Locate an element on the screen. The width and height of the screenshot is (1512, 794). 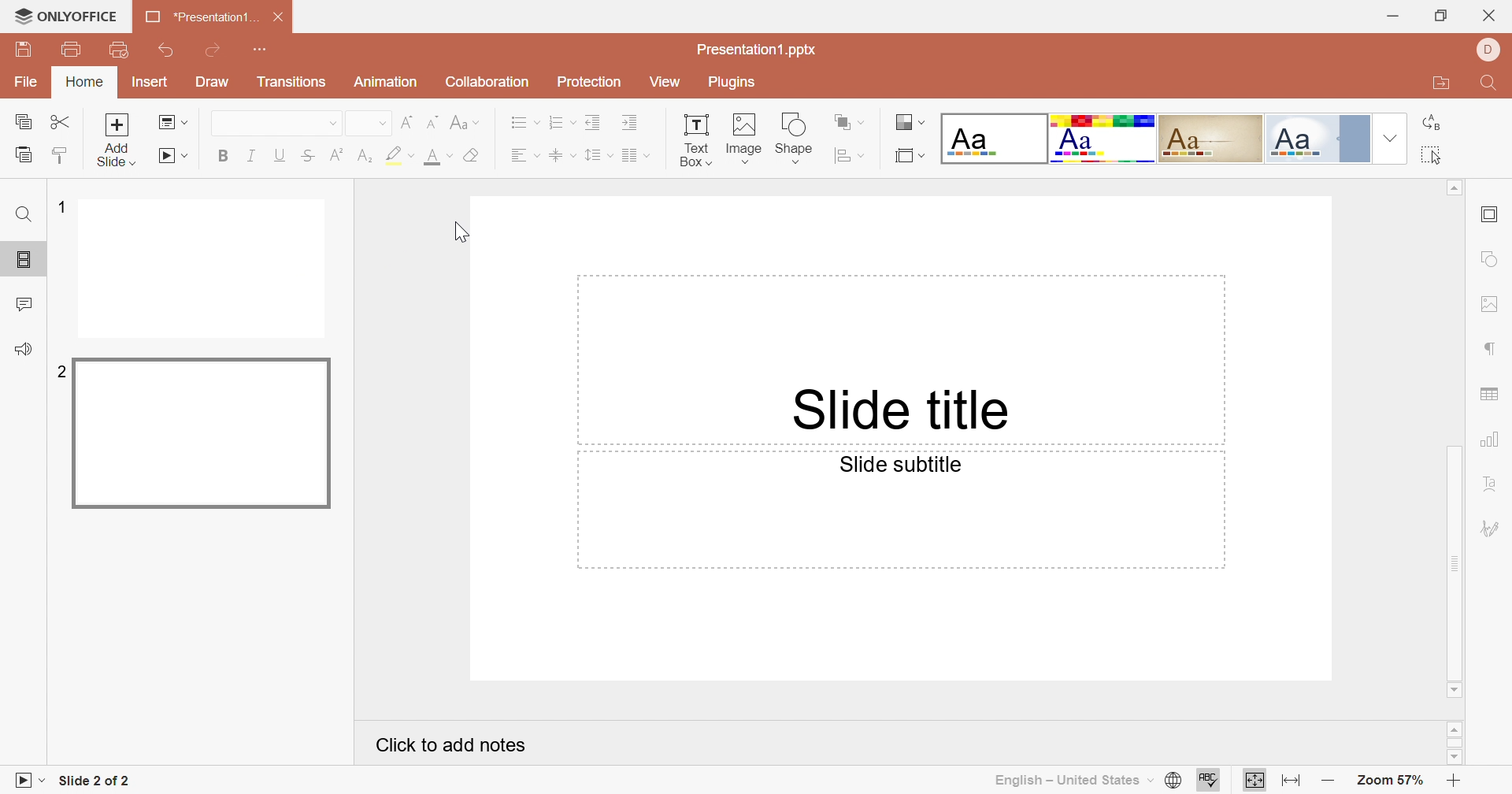
Select slide size is located at coordinates (910, 155).